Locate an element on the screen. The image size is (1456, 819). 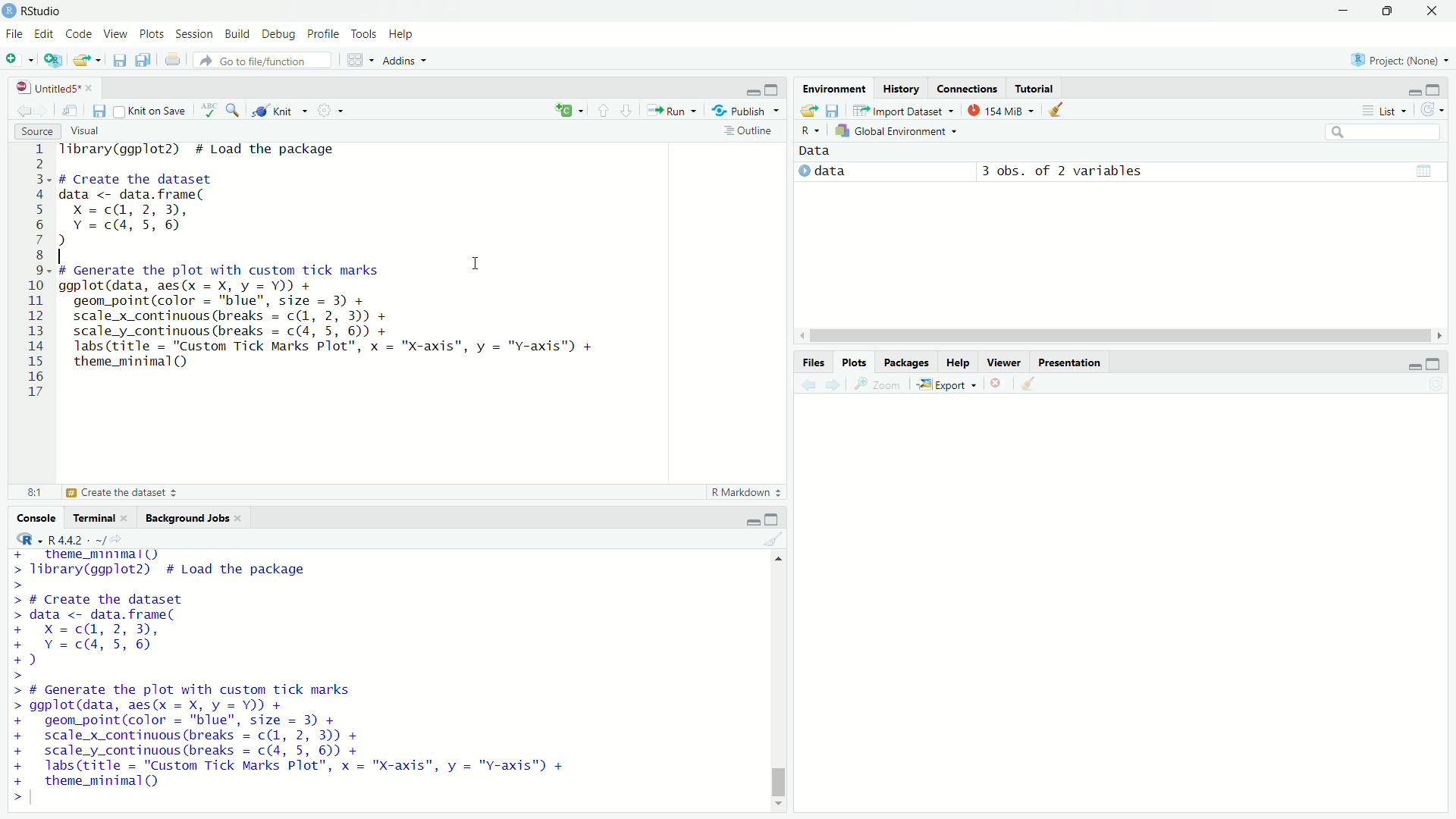
previous plot is located at coordinates (804, 384).